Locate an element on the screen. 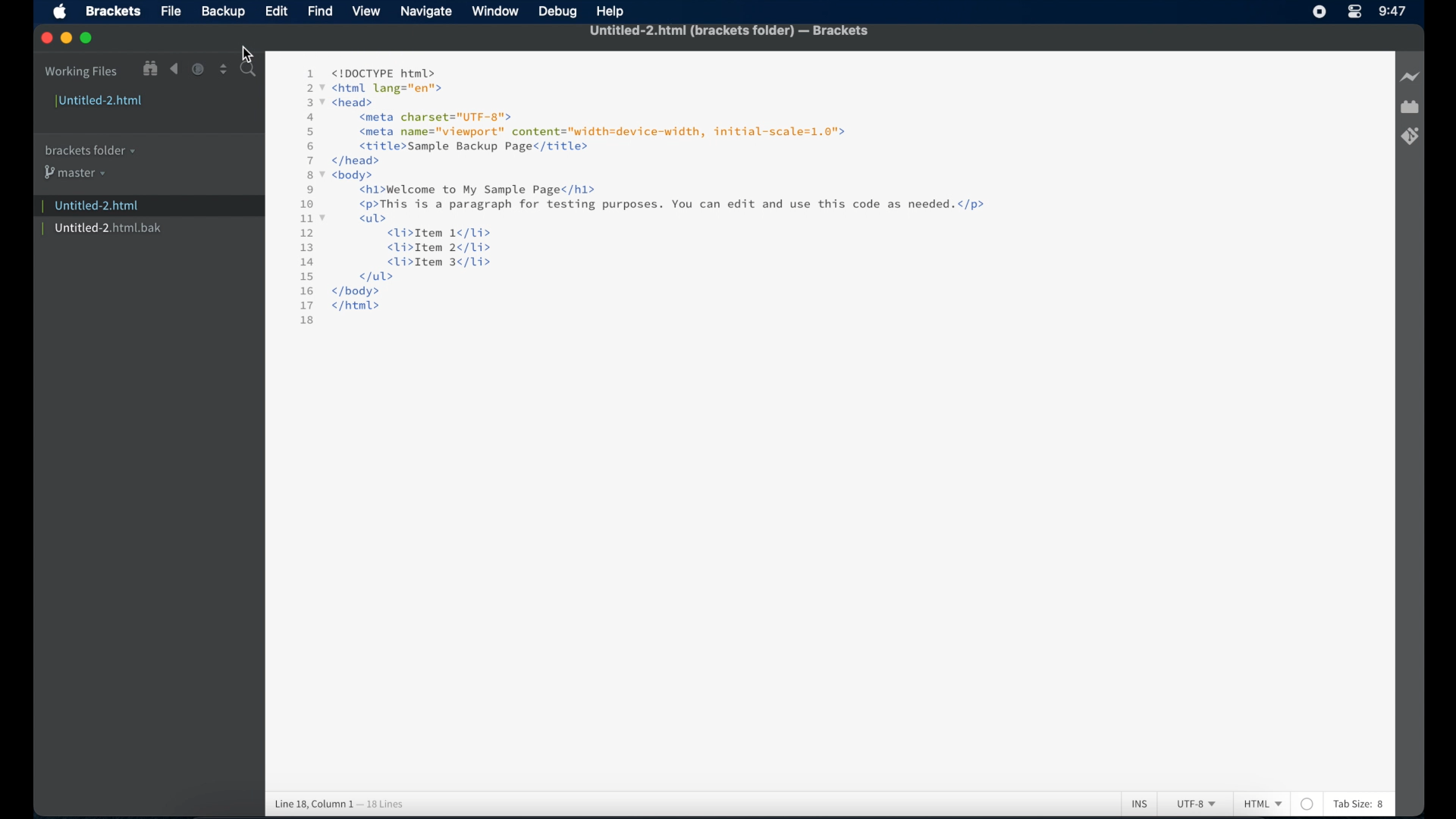  html is located at coordinates (1263, 804).